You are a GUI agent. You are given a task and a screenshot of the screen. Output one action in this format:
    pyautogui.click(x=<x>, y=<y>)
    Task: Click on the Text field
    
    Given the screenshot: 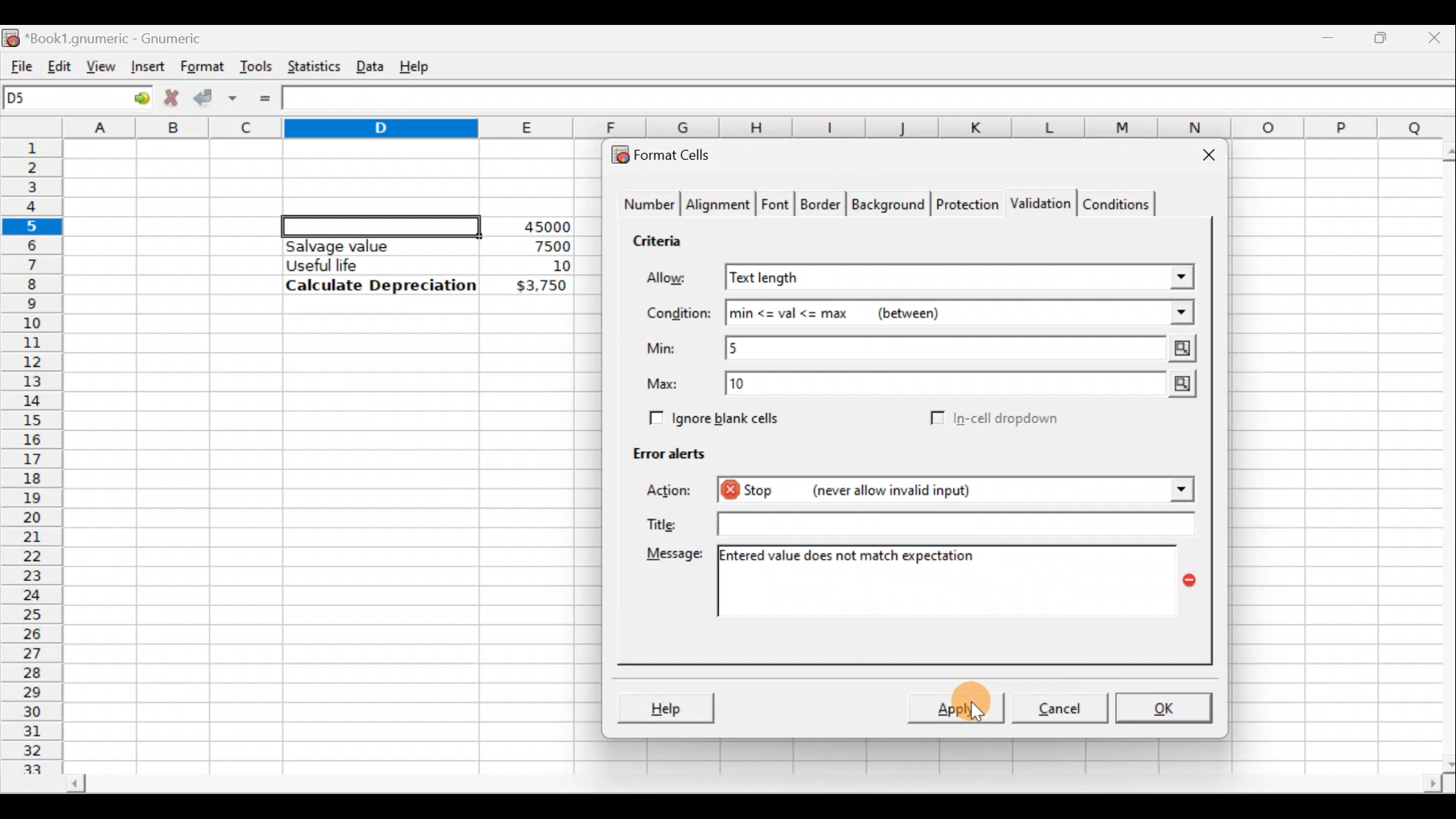 What is the action you would take?
    pyautogui.click(x=950, y=523)
    